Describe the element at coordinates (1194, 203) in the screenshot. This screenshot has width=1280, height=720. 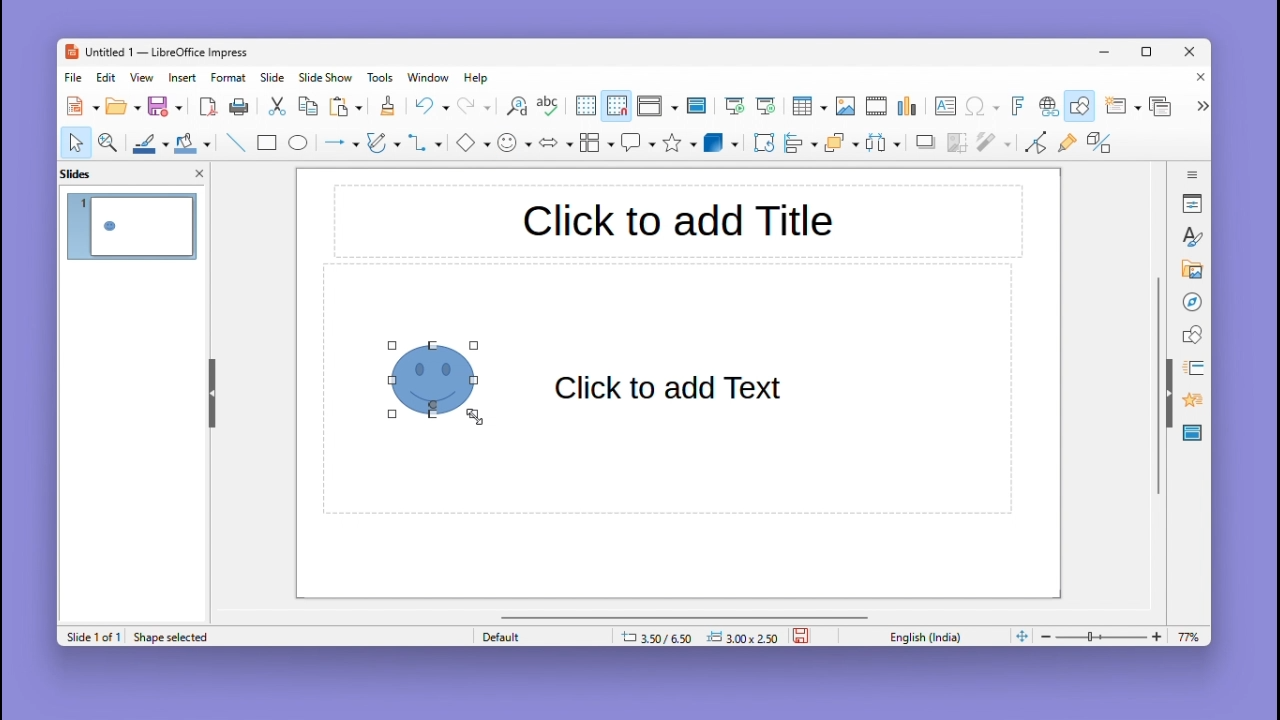
I see `Properties` at that location.